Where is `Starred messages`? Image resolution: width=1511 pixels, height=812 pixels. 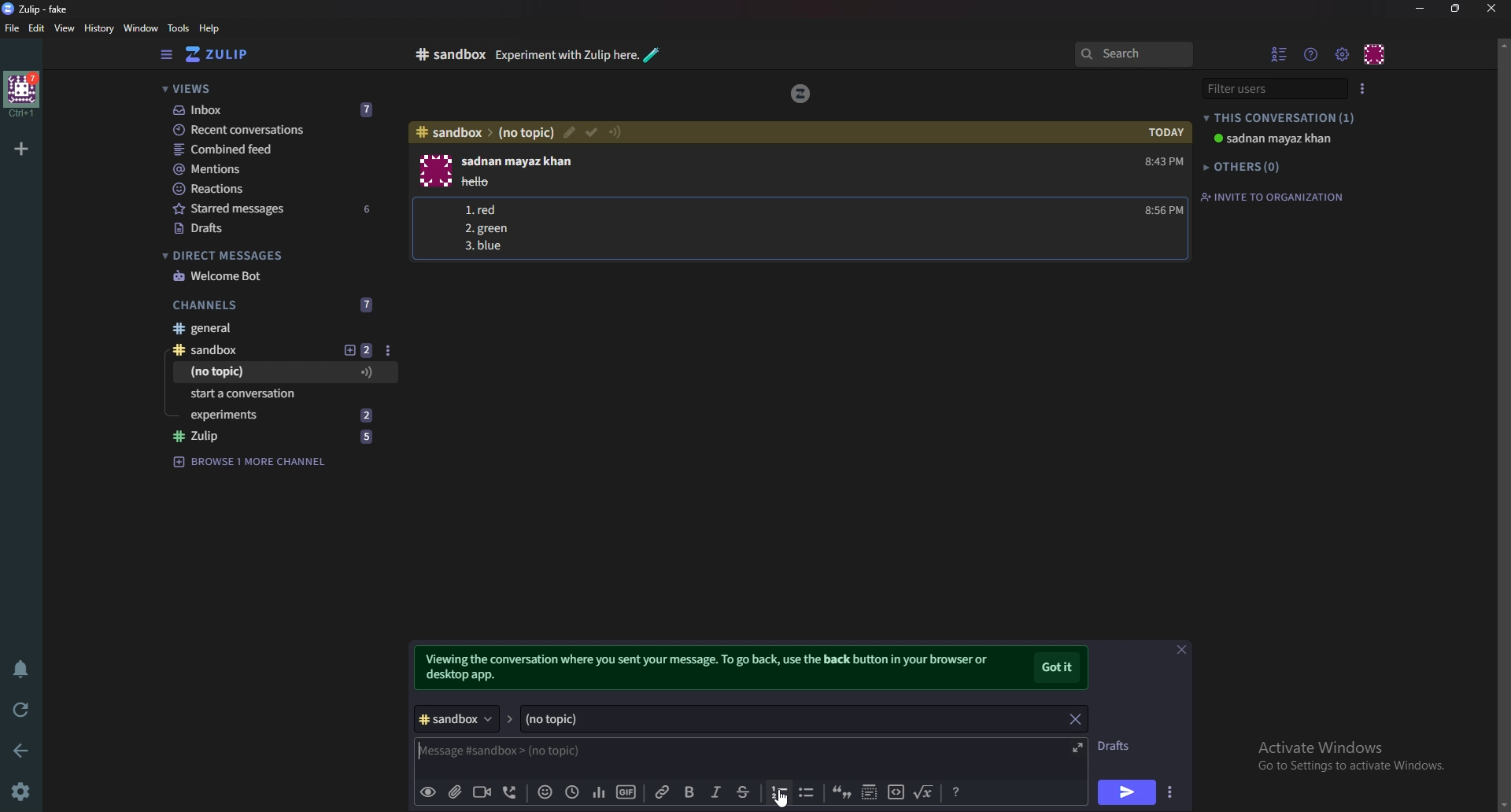 Starred messages is located at coordinates (275, 209).